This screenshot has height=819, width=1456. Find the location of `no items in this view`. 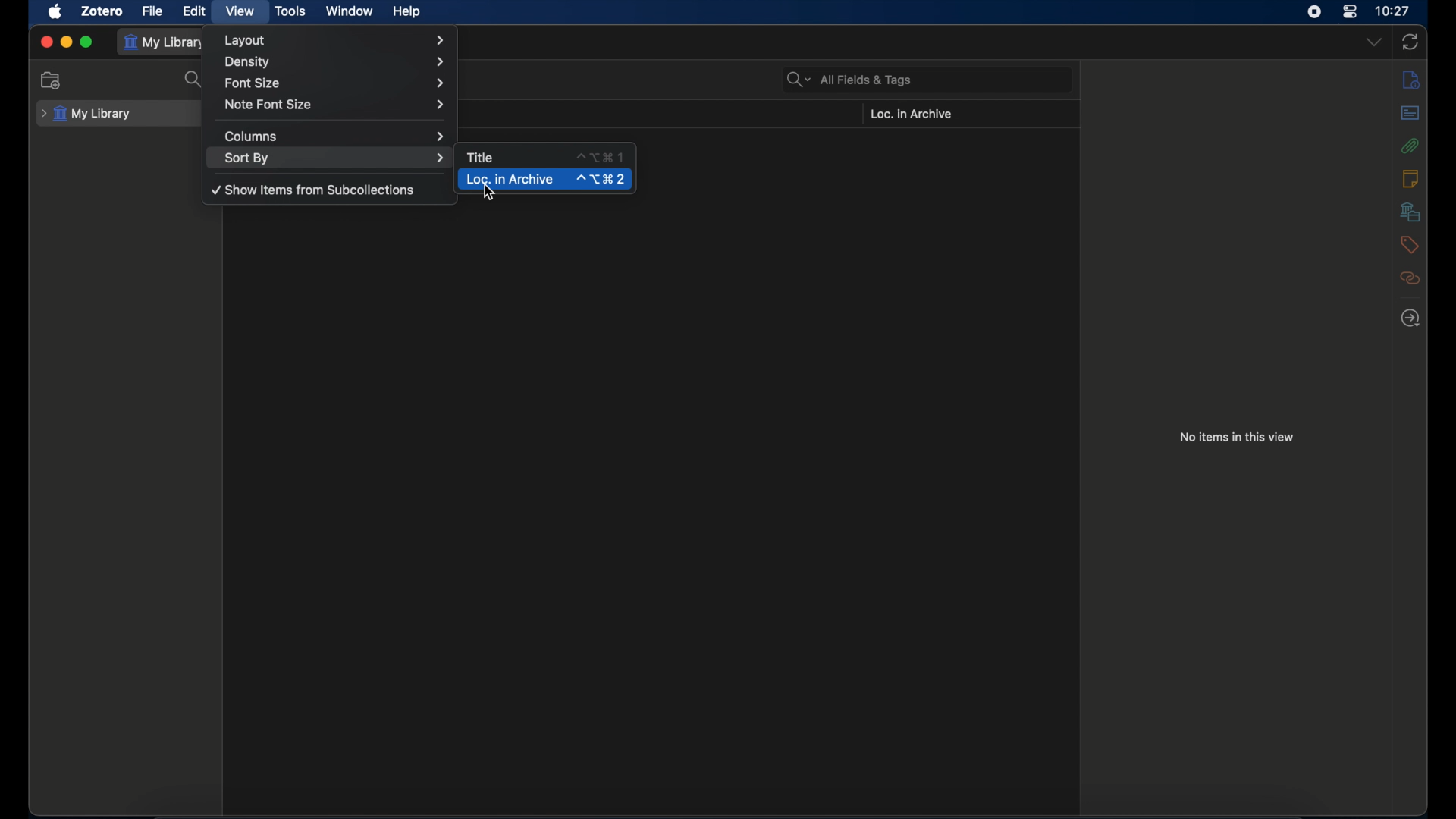

no items in this view is located at coordinates (1238, 437).